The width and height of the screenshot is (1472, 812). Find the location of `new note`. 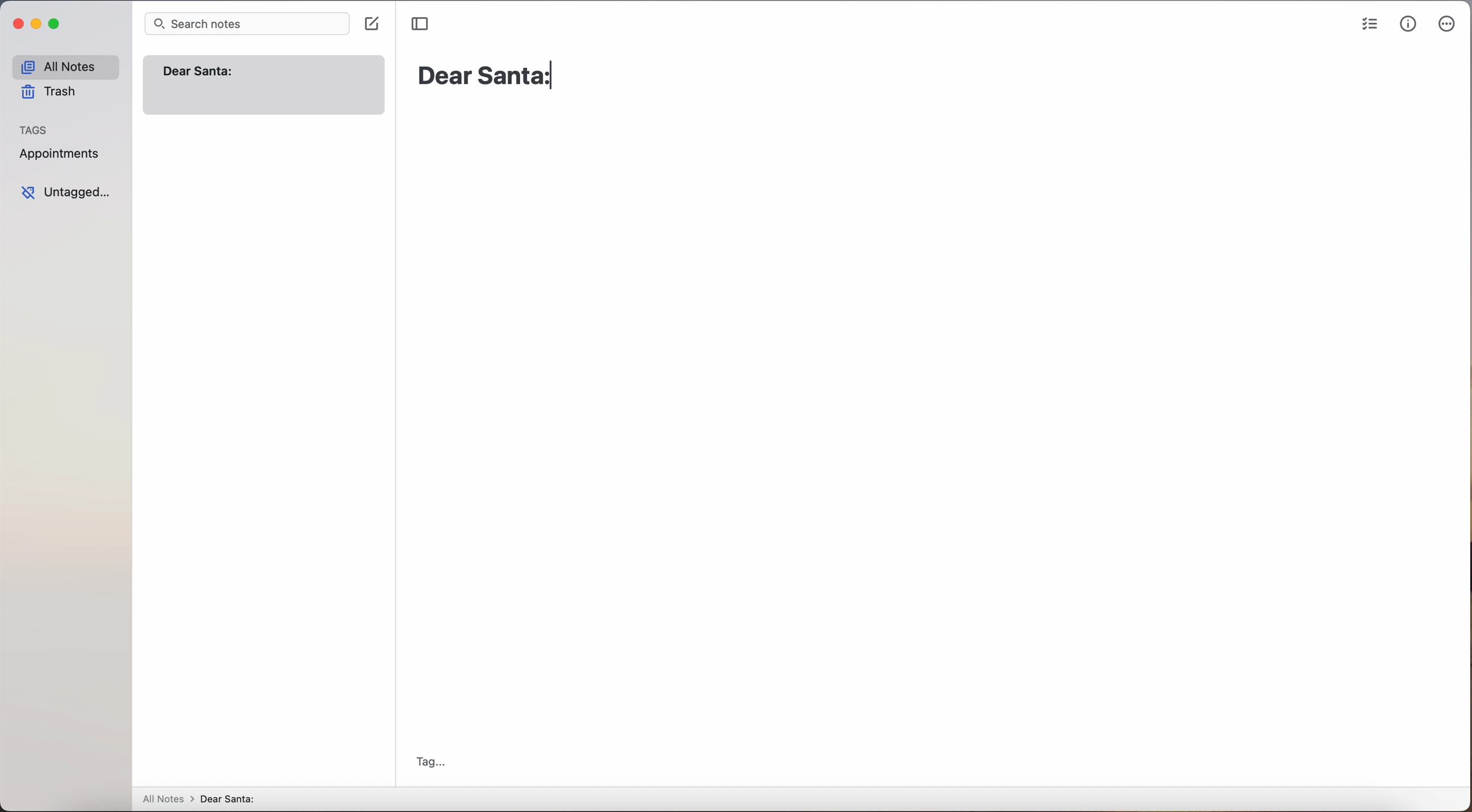

new note is located at coordinates (238, 801).